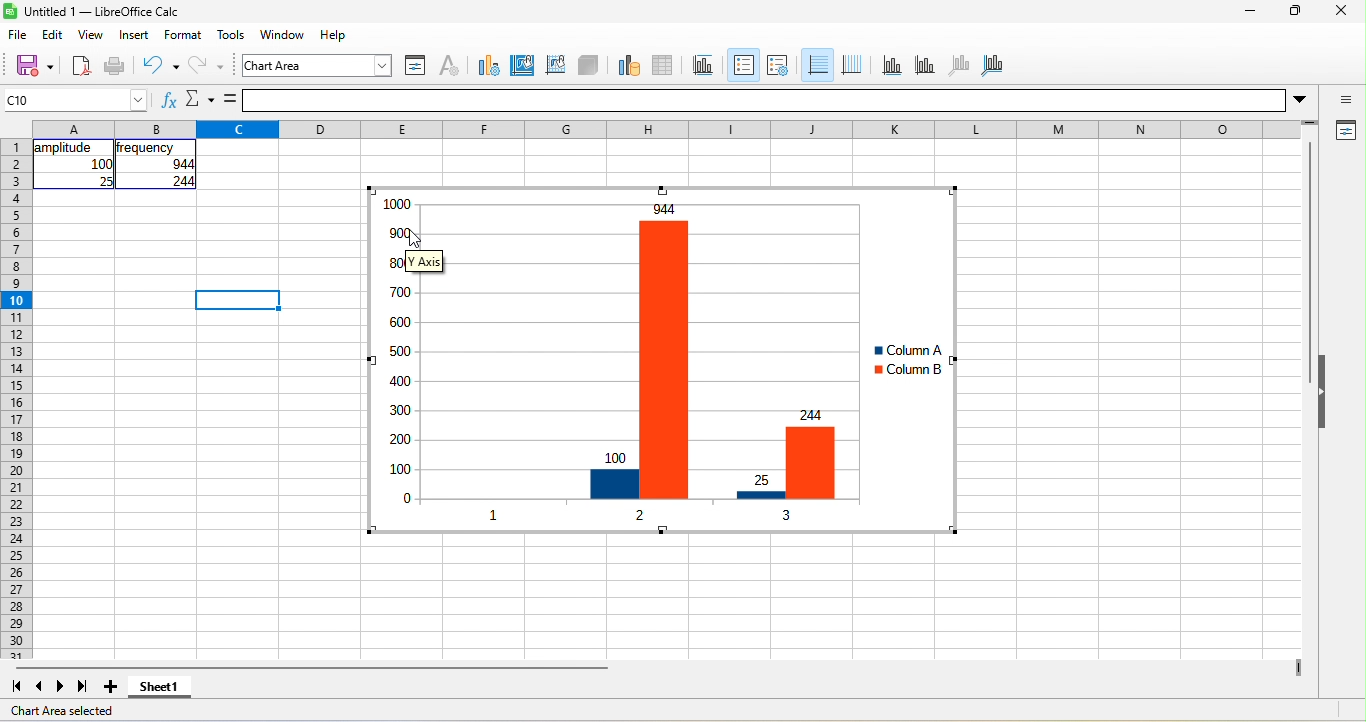  Describe the element at coordinates (83, 687) in the screenshot. I see `last sheet` at that location.